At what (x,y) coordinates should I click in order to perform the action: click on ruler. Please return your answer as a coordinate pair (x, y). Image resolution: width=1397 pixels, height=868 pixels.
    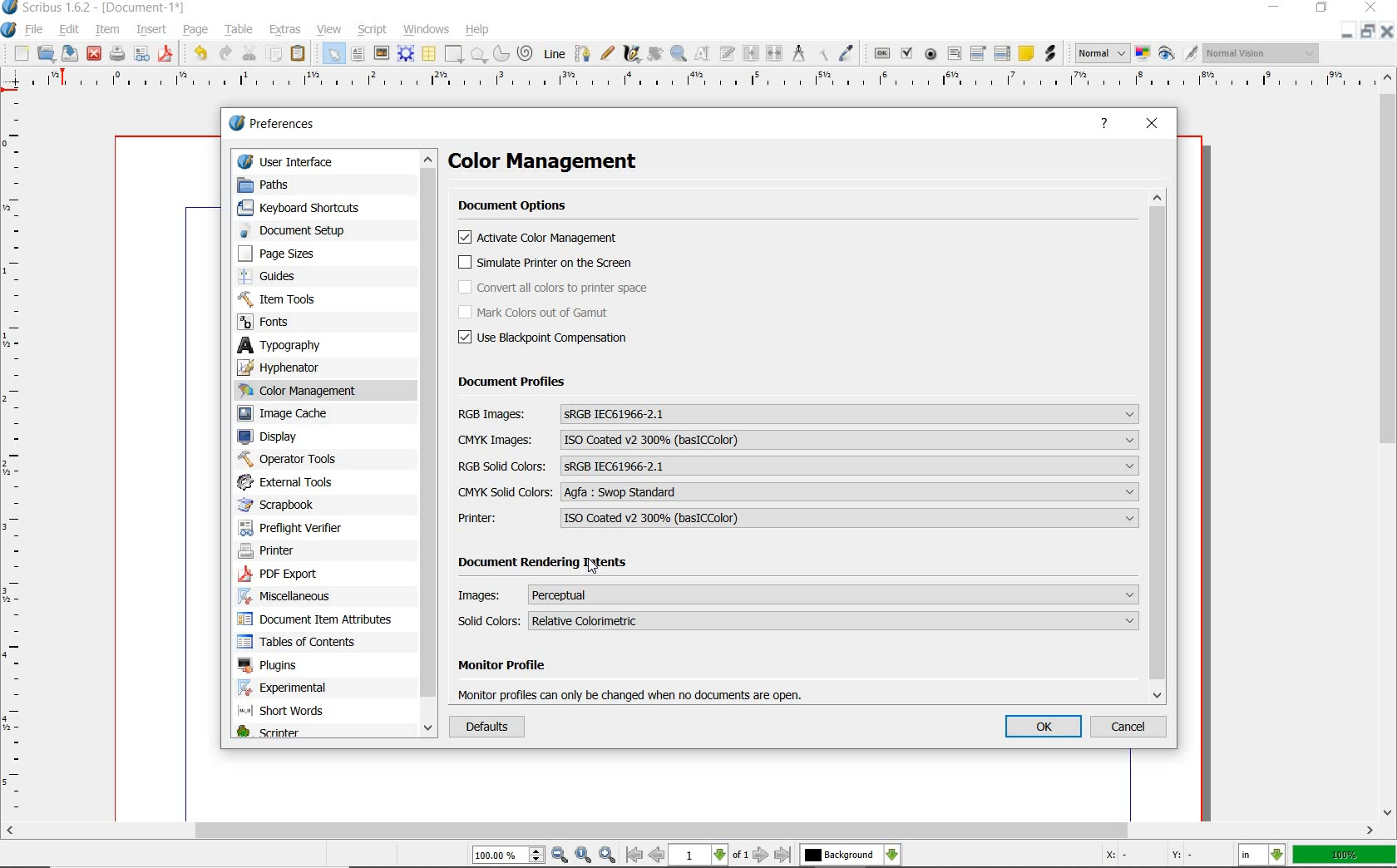
    Looking at the image, I should click on (22, 457).